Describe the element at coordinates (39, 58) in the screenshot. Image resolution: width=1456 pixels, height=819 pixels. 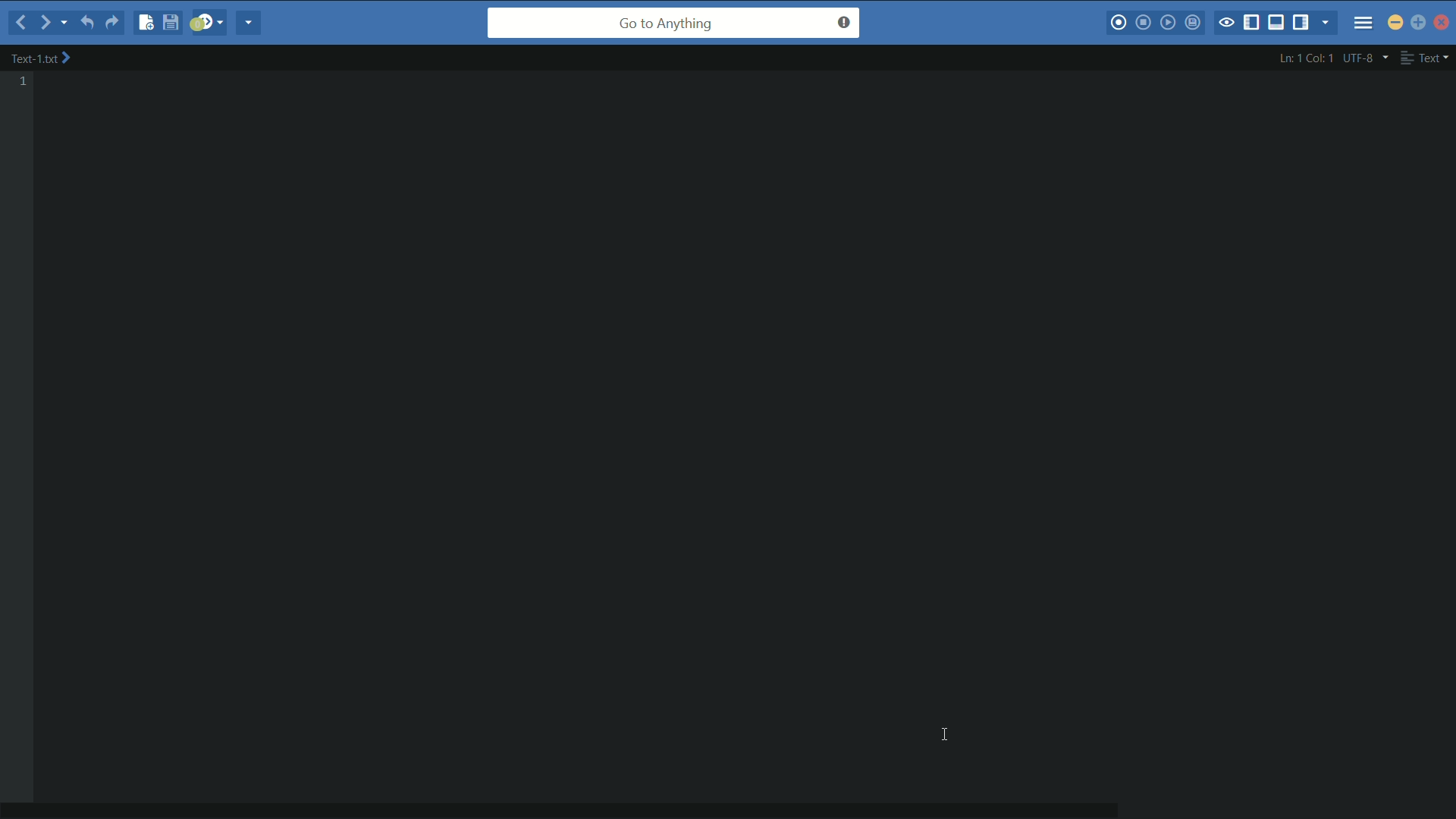
I see `file name` at that location.